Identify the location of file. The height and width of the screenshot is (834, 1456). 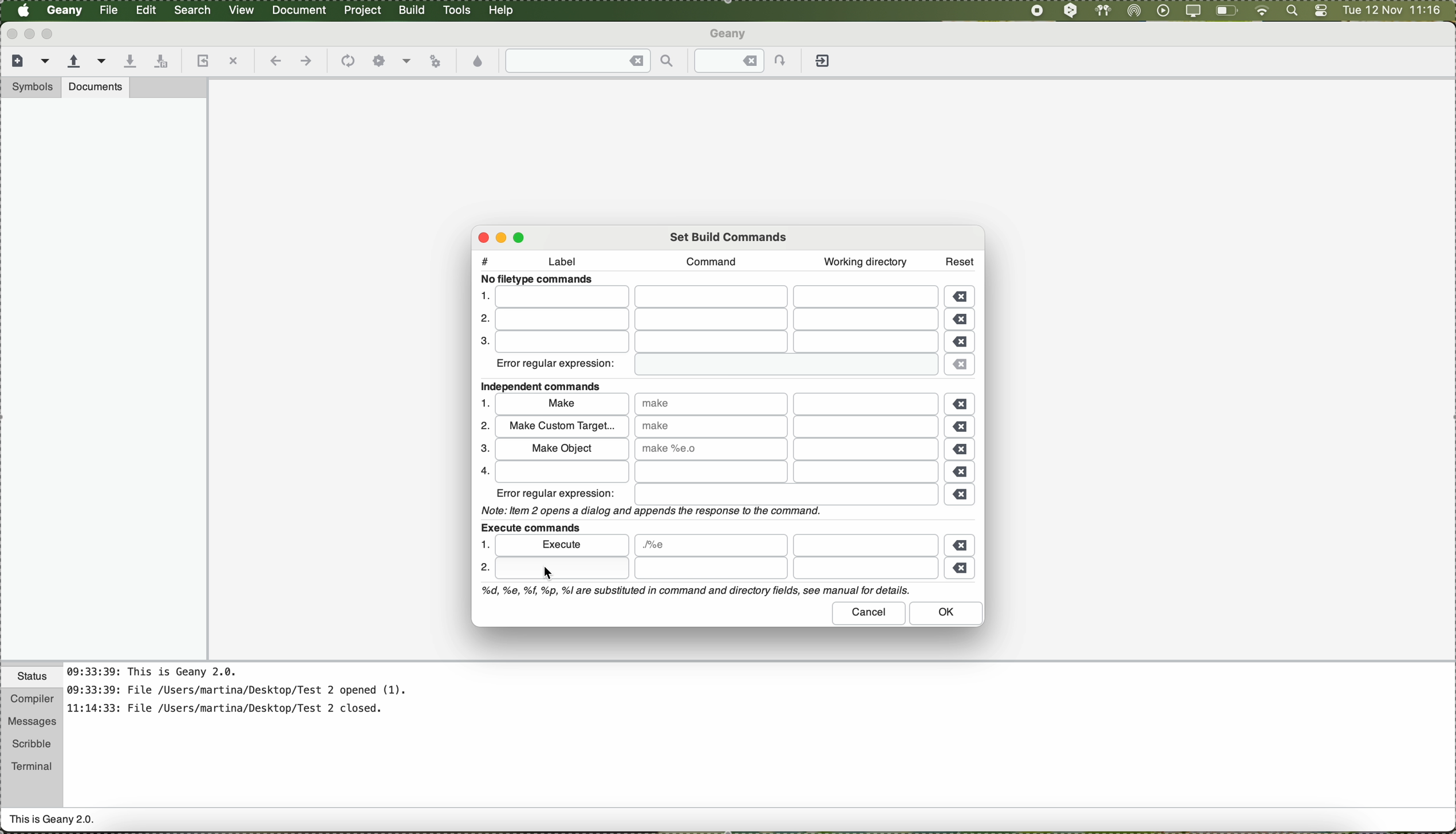
(782, 365).